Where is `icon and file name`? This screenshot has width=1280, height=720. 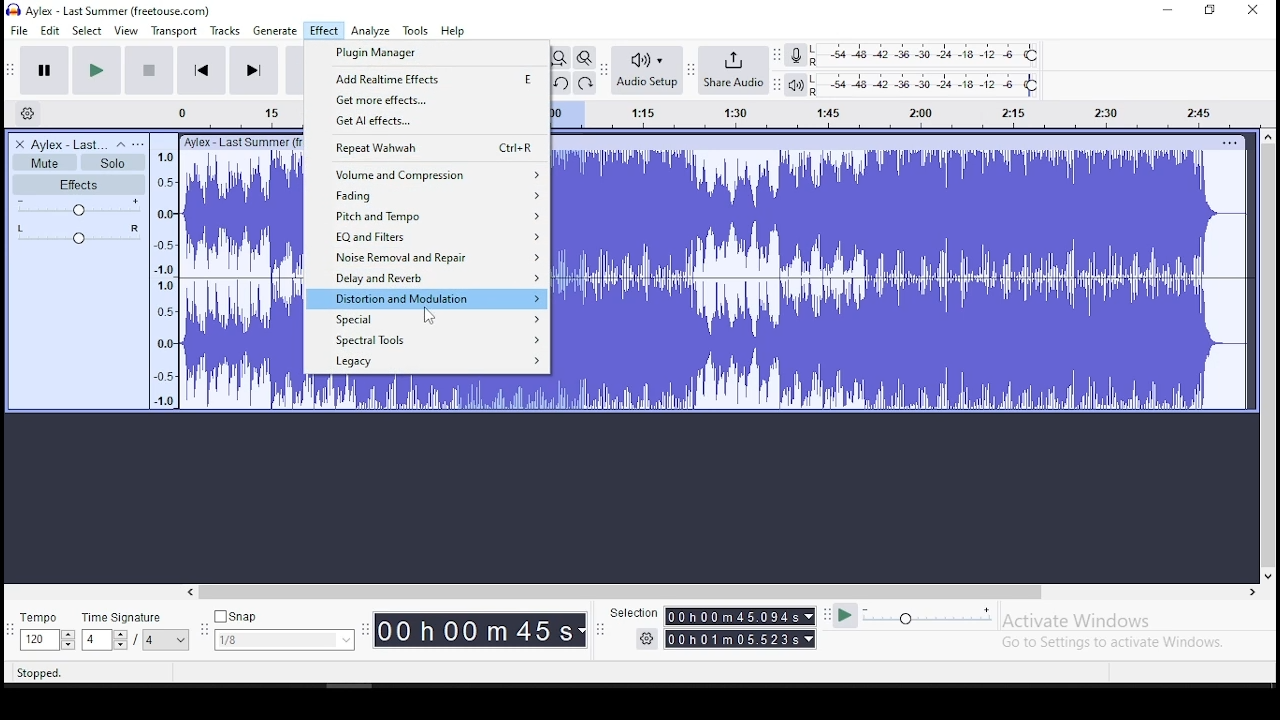
icon and file name is located at coordinates (110, 10).